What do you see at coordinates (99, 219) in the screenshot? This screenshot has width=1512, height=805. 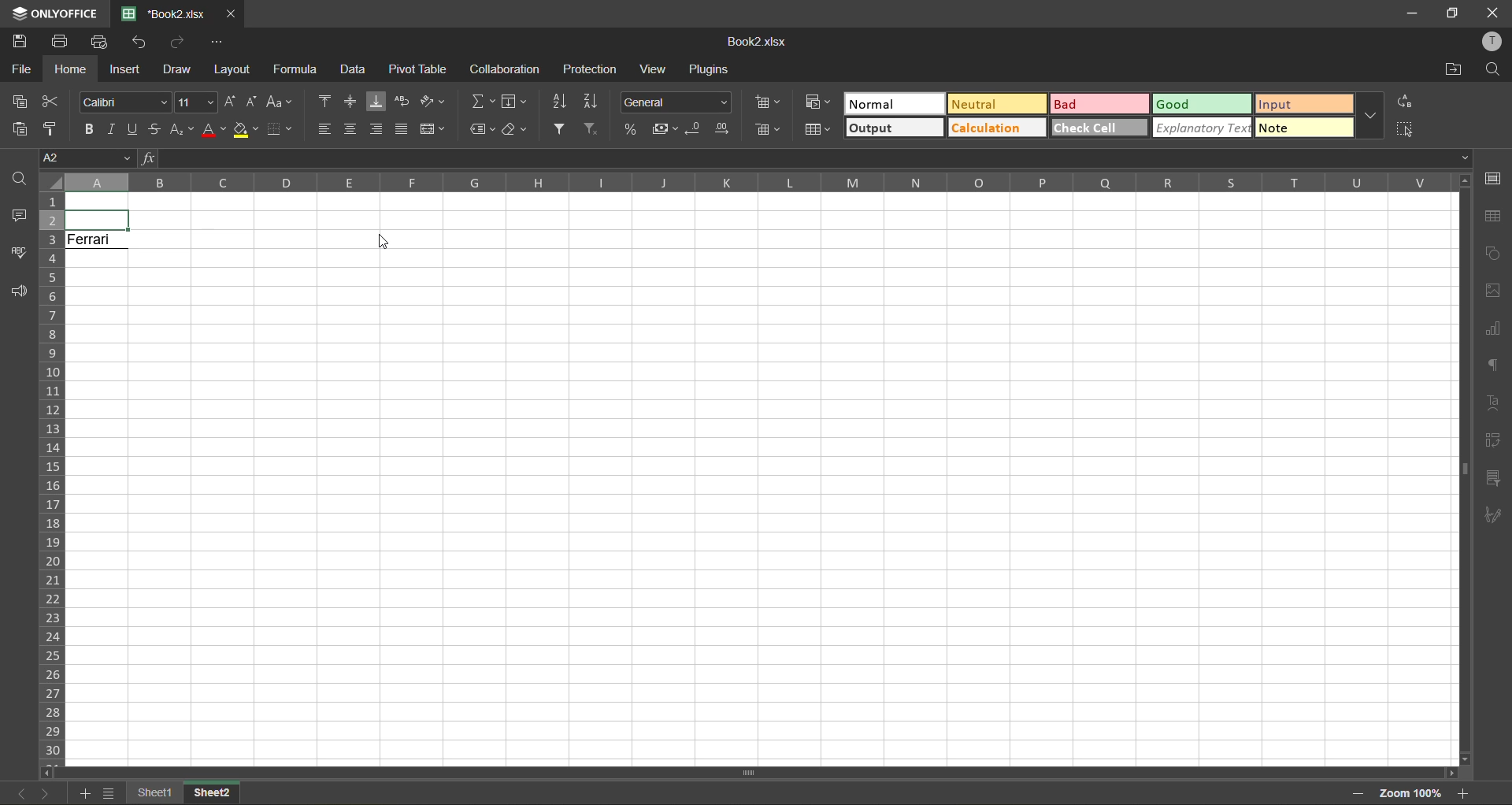 I see `cell with bottom borders` at bounding box center [99, 219].